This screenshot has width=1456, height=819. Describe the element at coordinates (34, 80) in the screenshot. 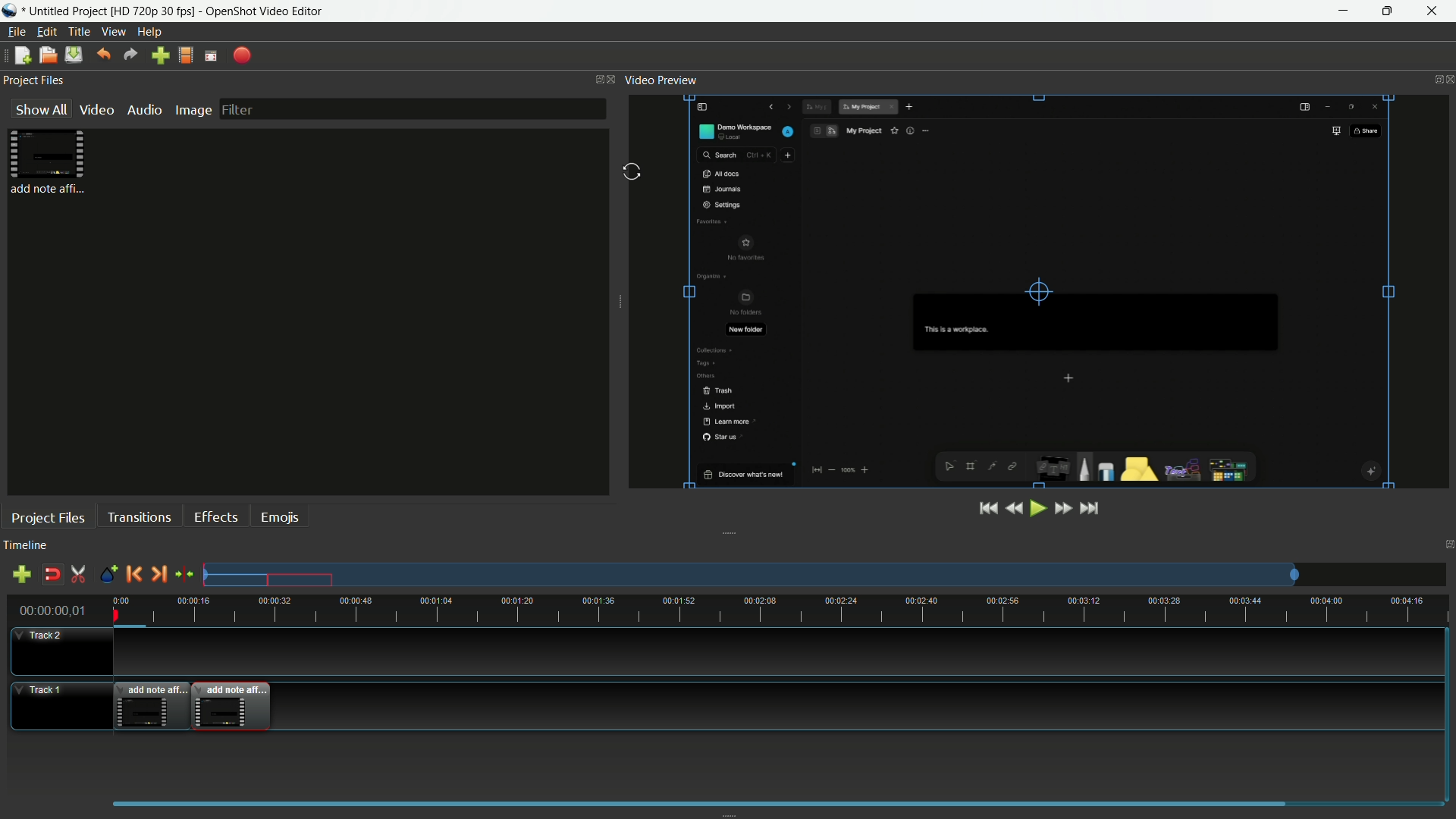

I see `project files` at that location.